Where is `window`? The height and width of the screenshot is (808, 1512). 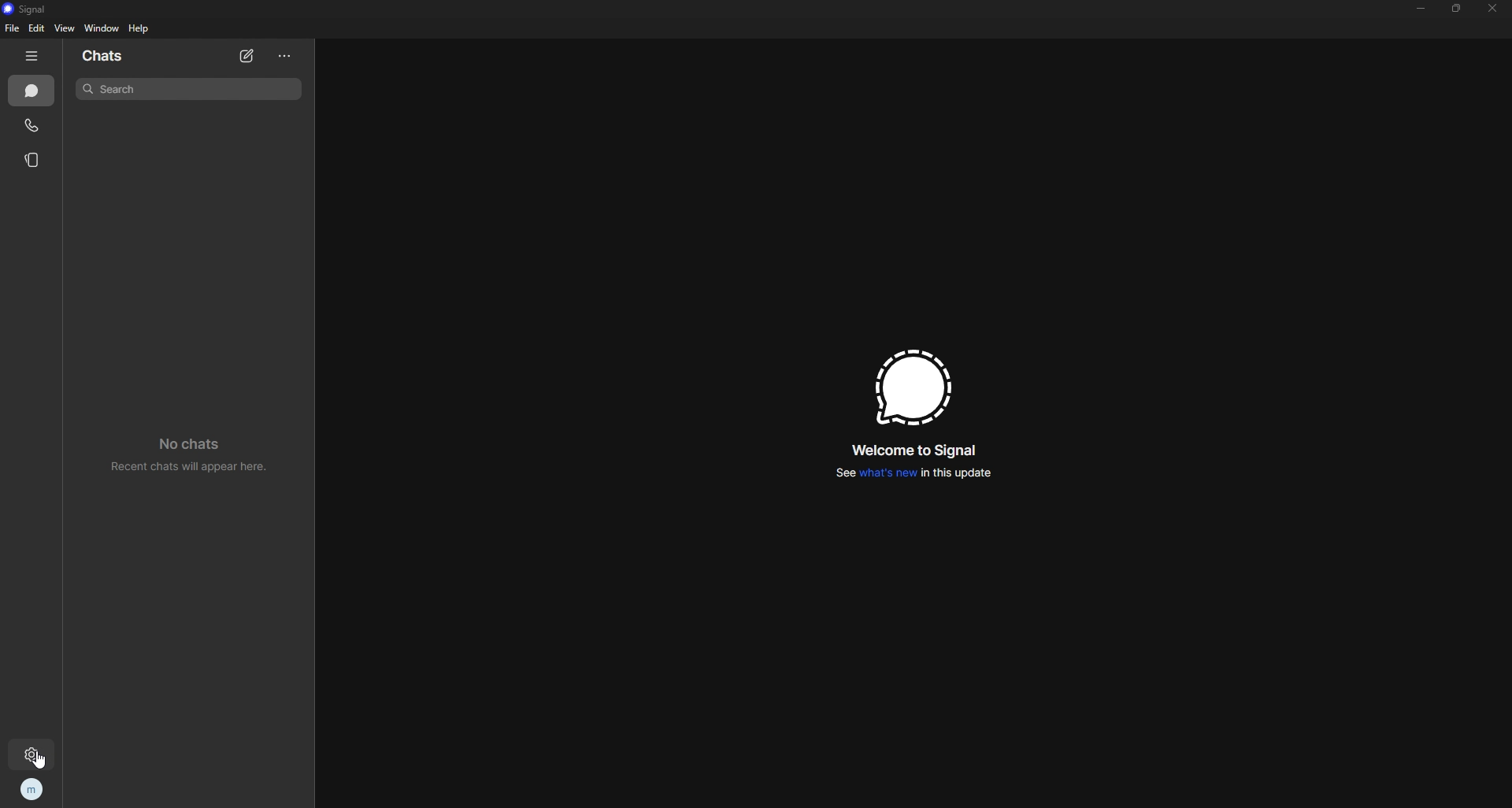
window is located at coordinates (102, 28).